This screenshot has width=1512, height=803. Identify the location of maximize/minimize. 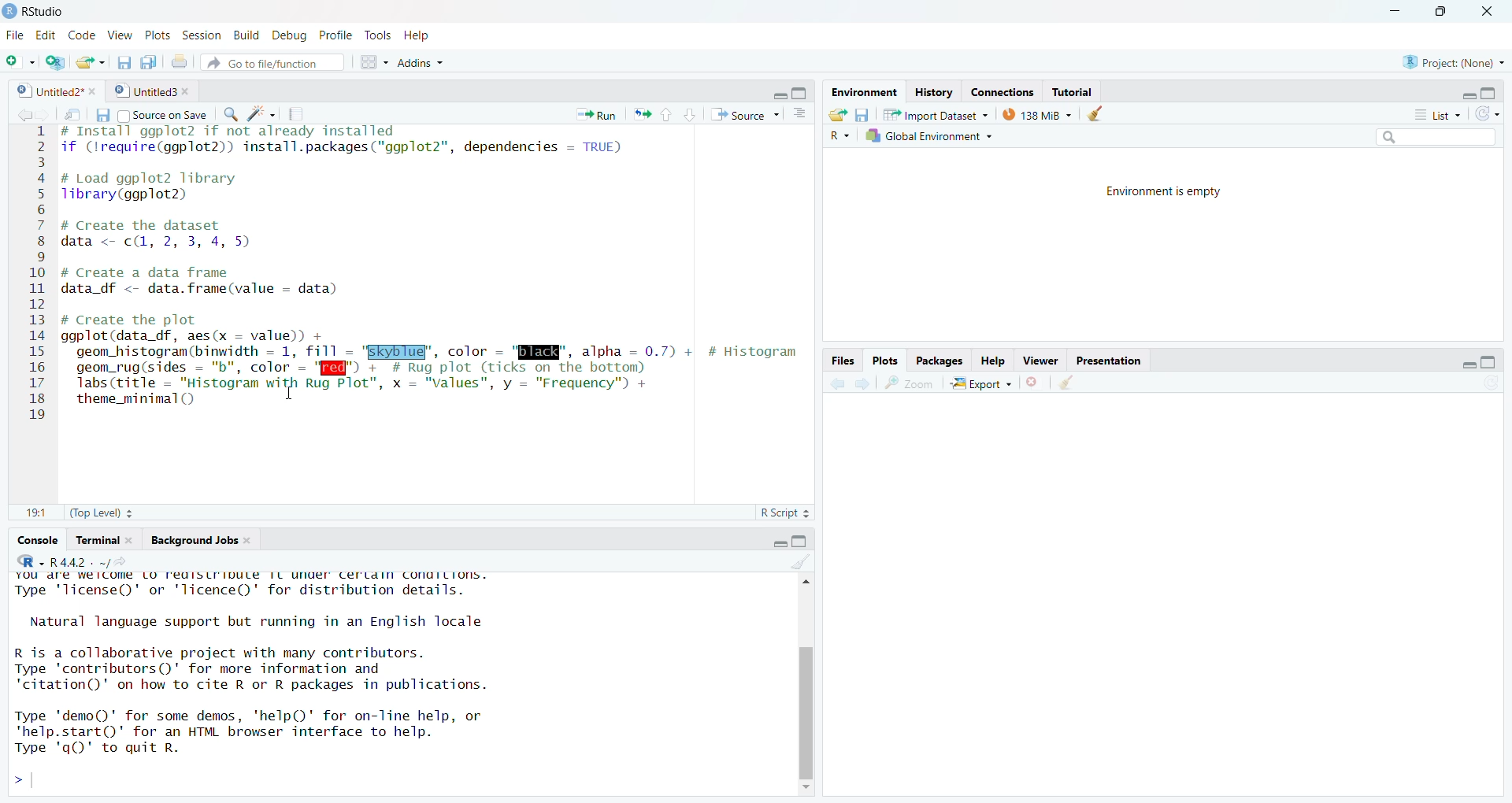
(1480, 91).